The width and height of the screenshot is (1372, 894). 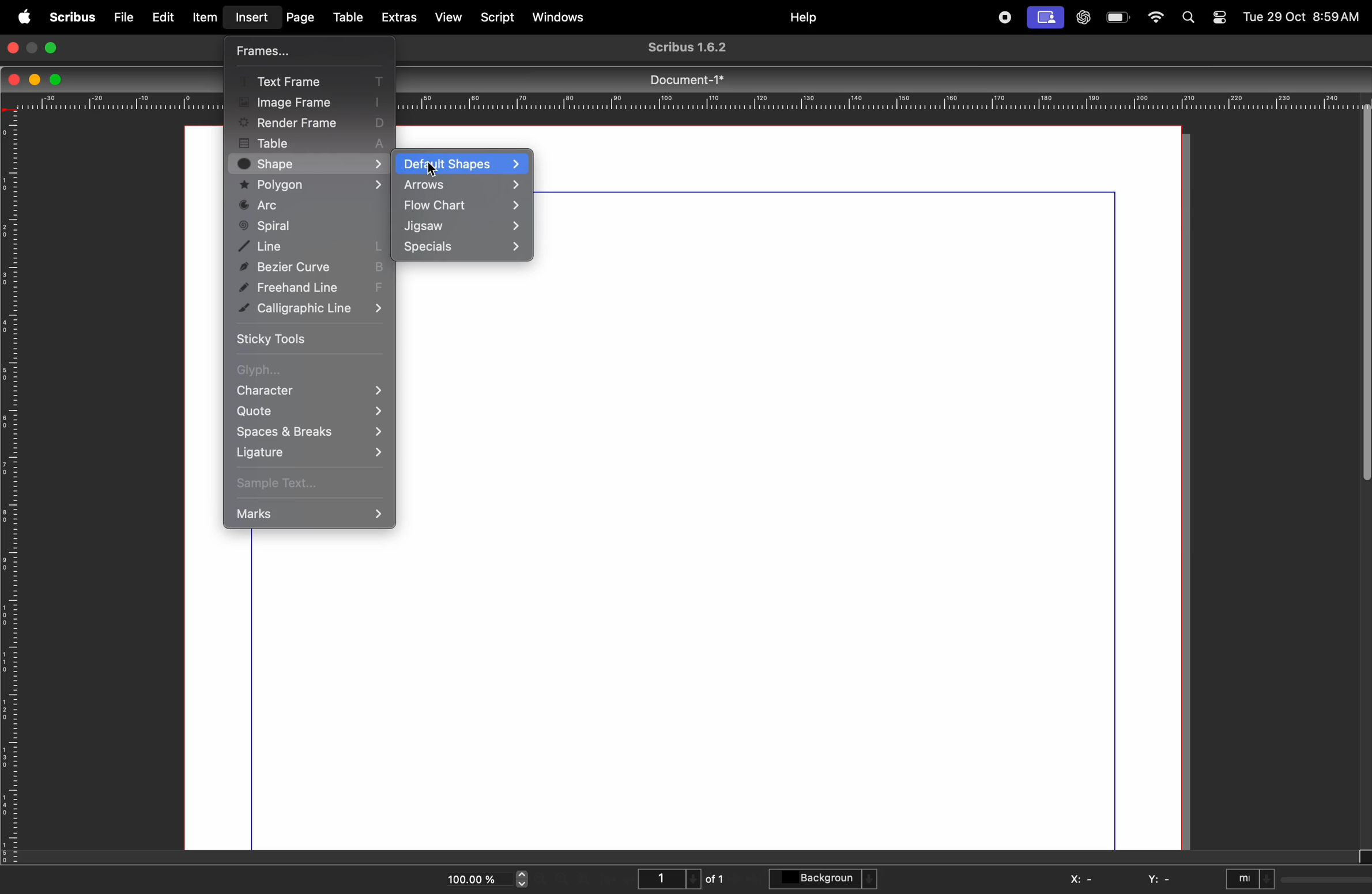 I want to click on Document-1*, so click(x=694, y=79).